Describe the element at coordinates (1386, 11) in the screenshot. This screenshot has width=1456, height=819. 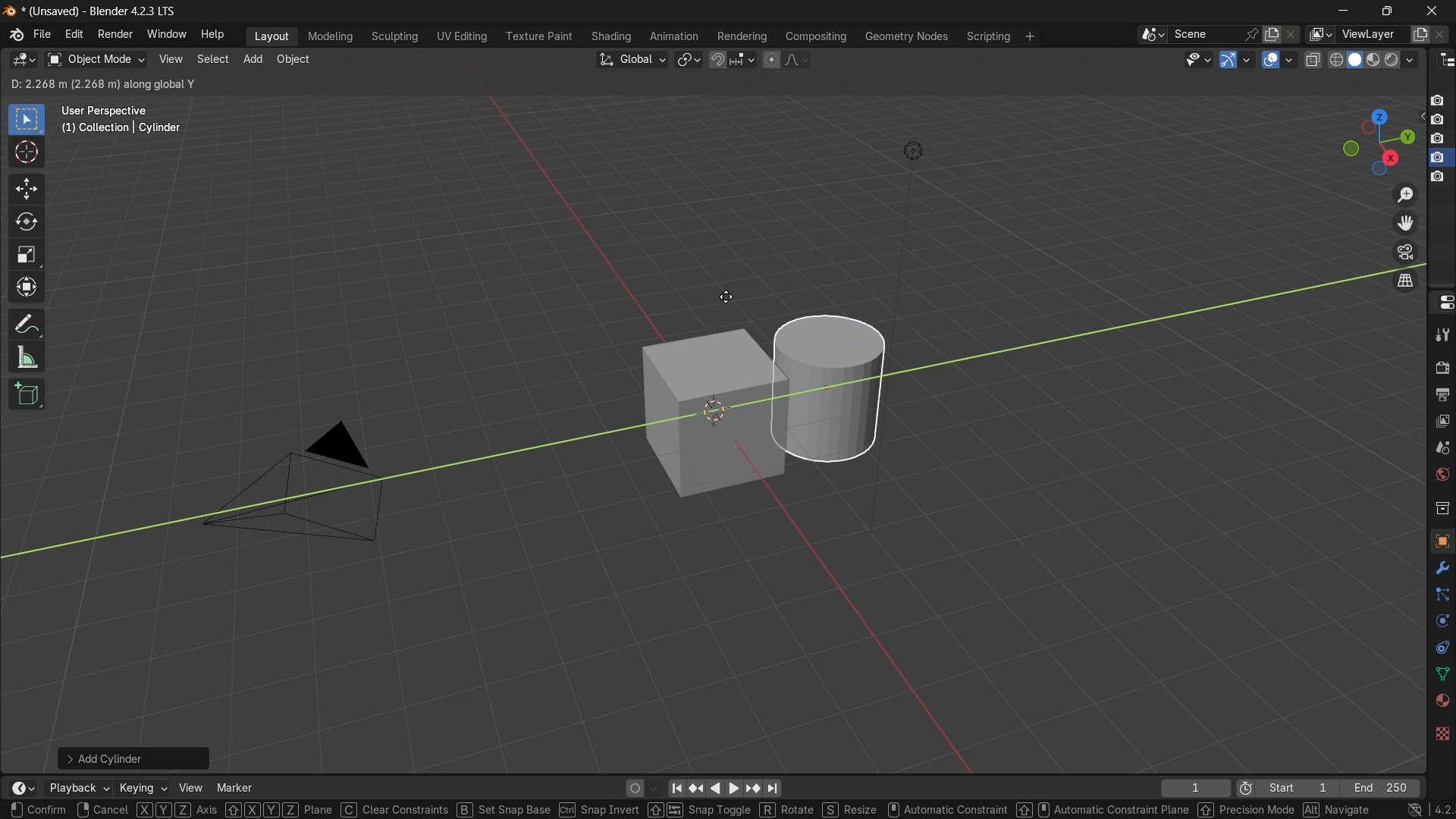
I see `maximize or restore` at that location.